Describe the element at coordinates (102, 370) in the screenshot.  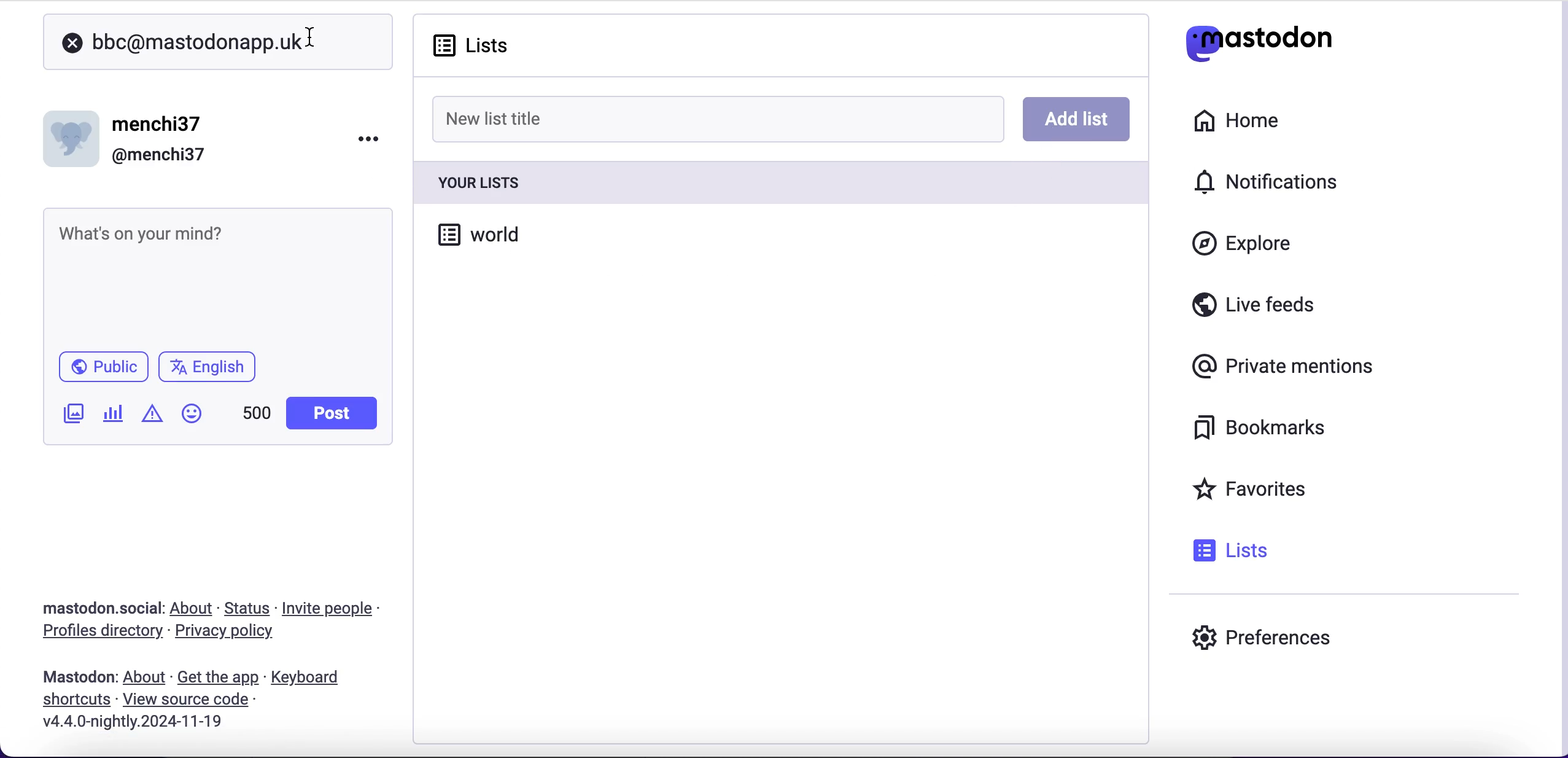
I see `public` at that location.